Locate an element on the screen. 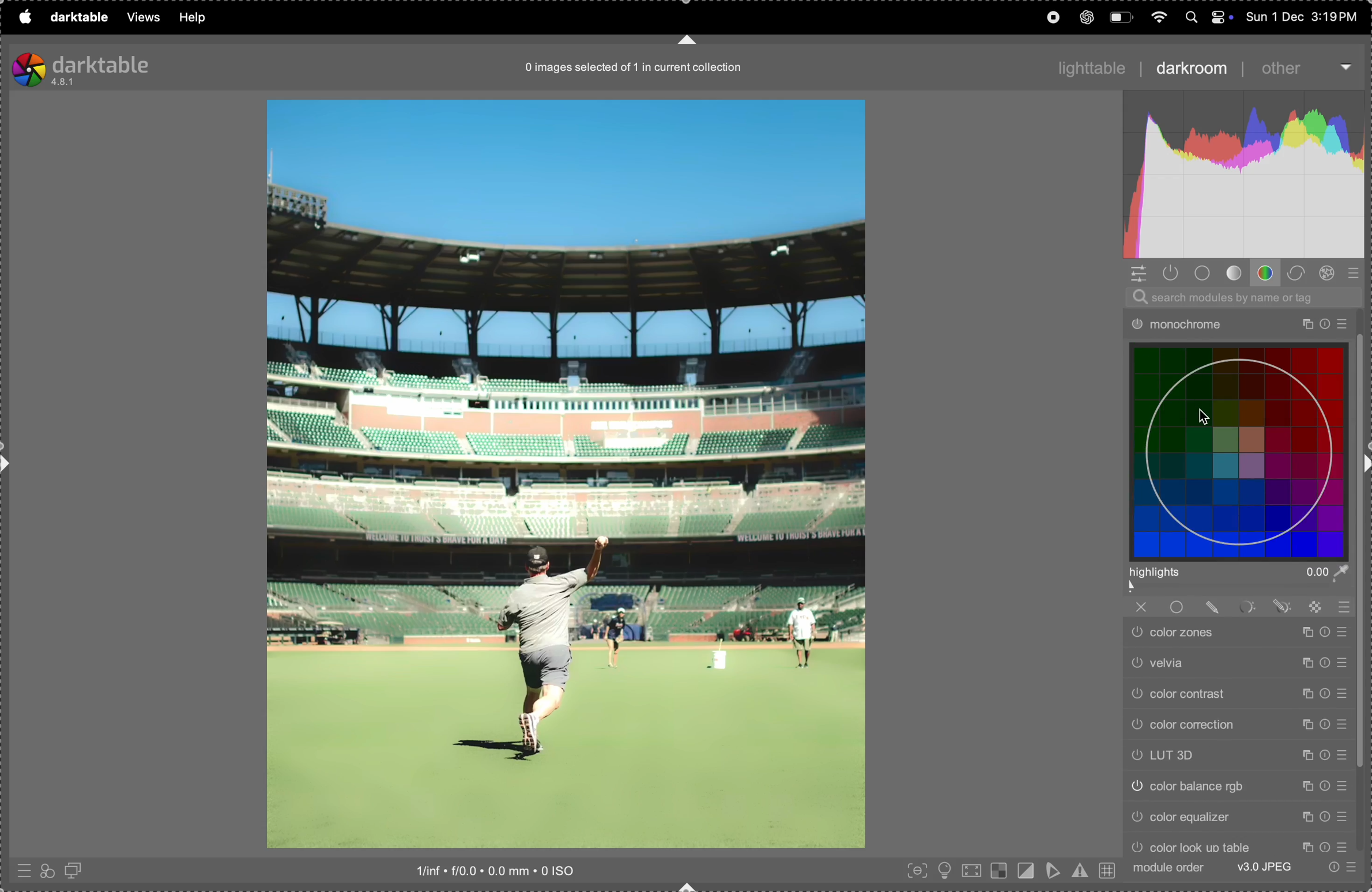 The width and height of the screenshot is (1372, 892). full screen is located at coordinates (973, 870).